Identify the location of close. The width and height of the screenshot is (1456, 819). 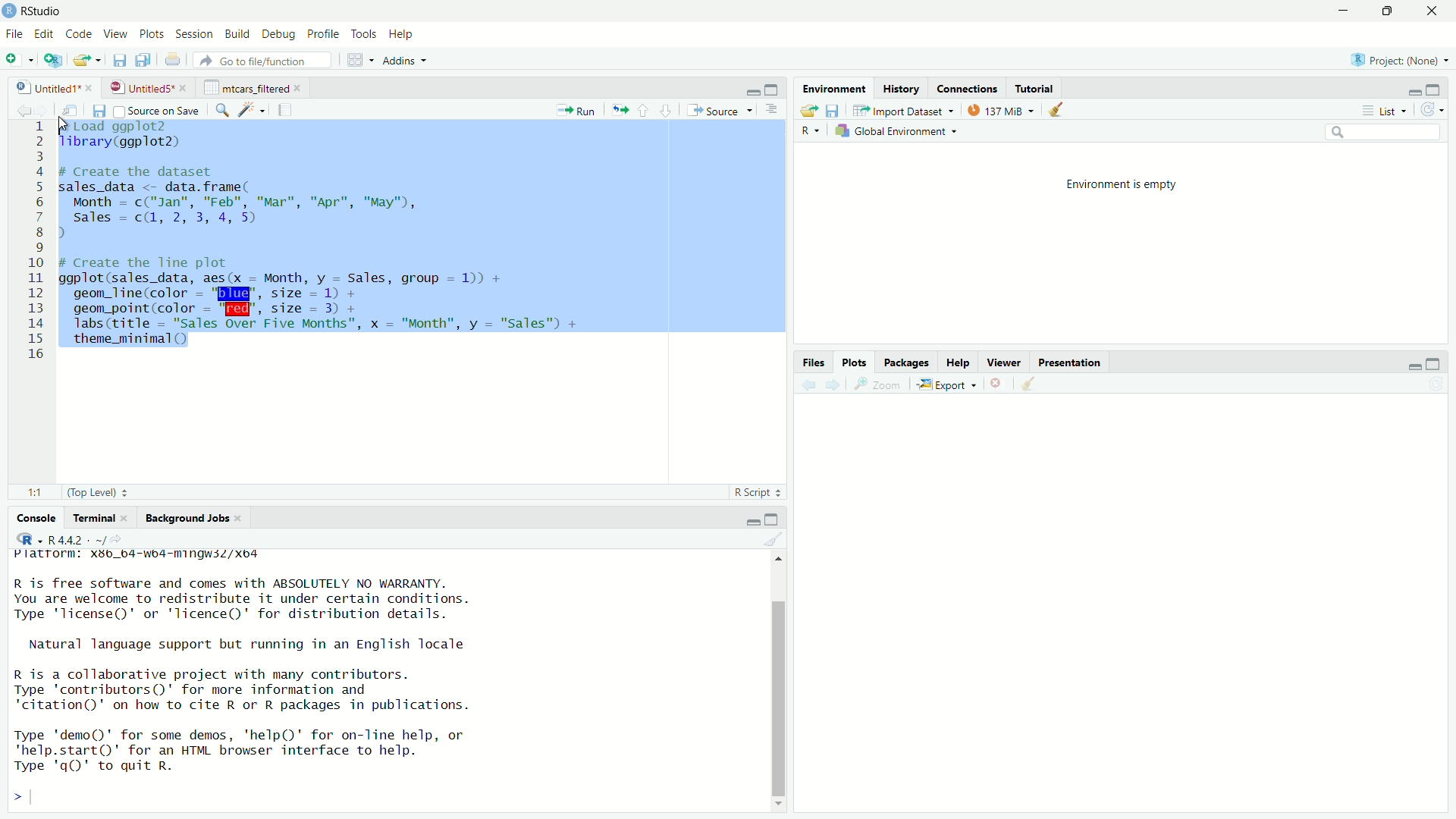
(130, 518).